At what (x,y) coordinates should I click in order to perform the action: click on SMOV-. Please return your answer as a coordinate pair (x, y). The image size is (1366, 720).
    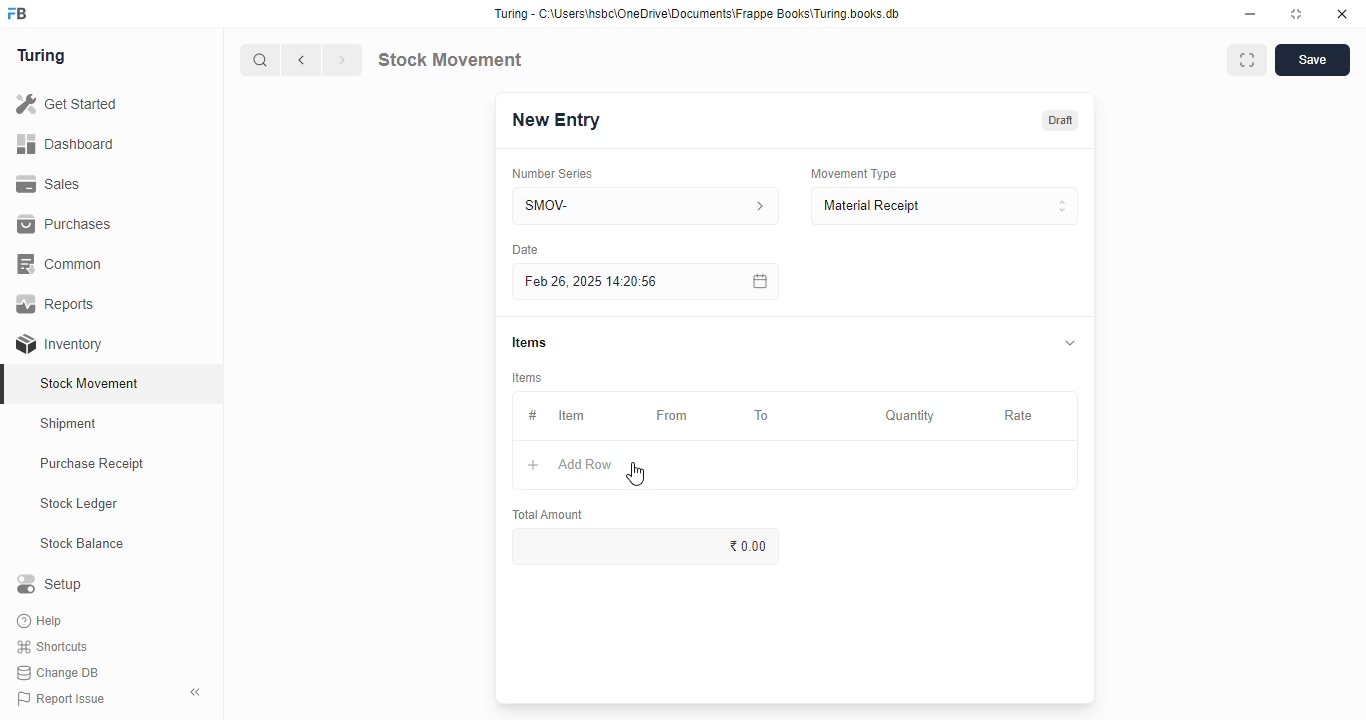
    Looking at the image, I should click on (647, 205).